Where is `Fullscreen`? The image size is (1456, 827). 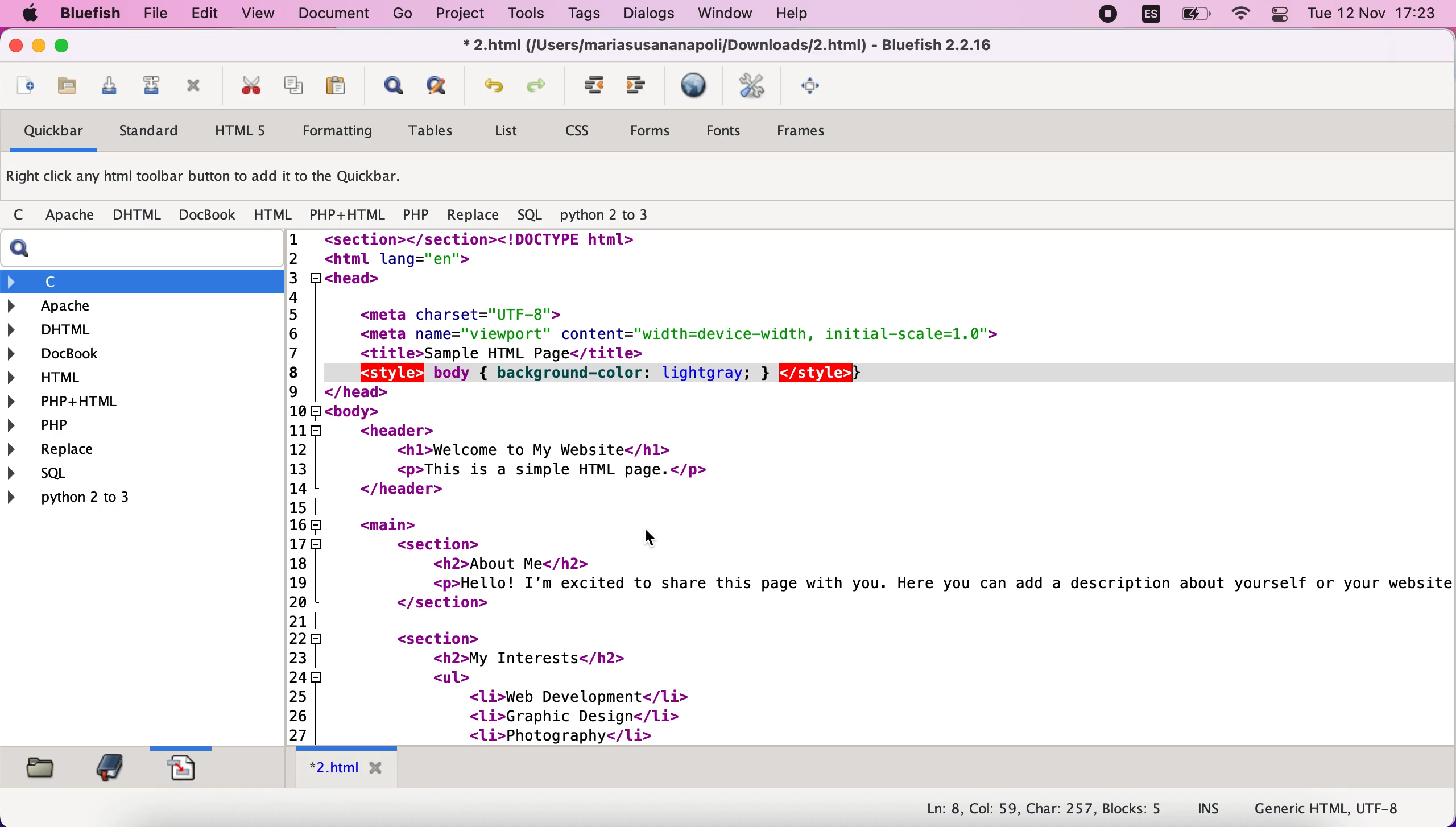 Fullscreen is located at coordinates (817, 87).